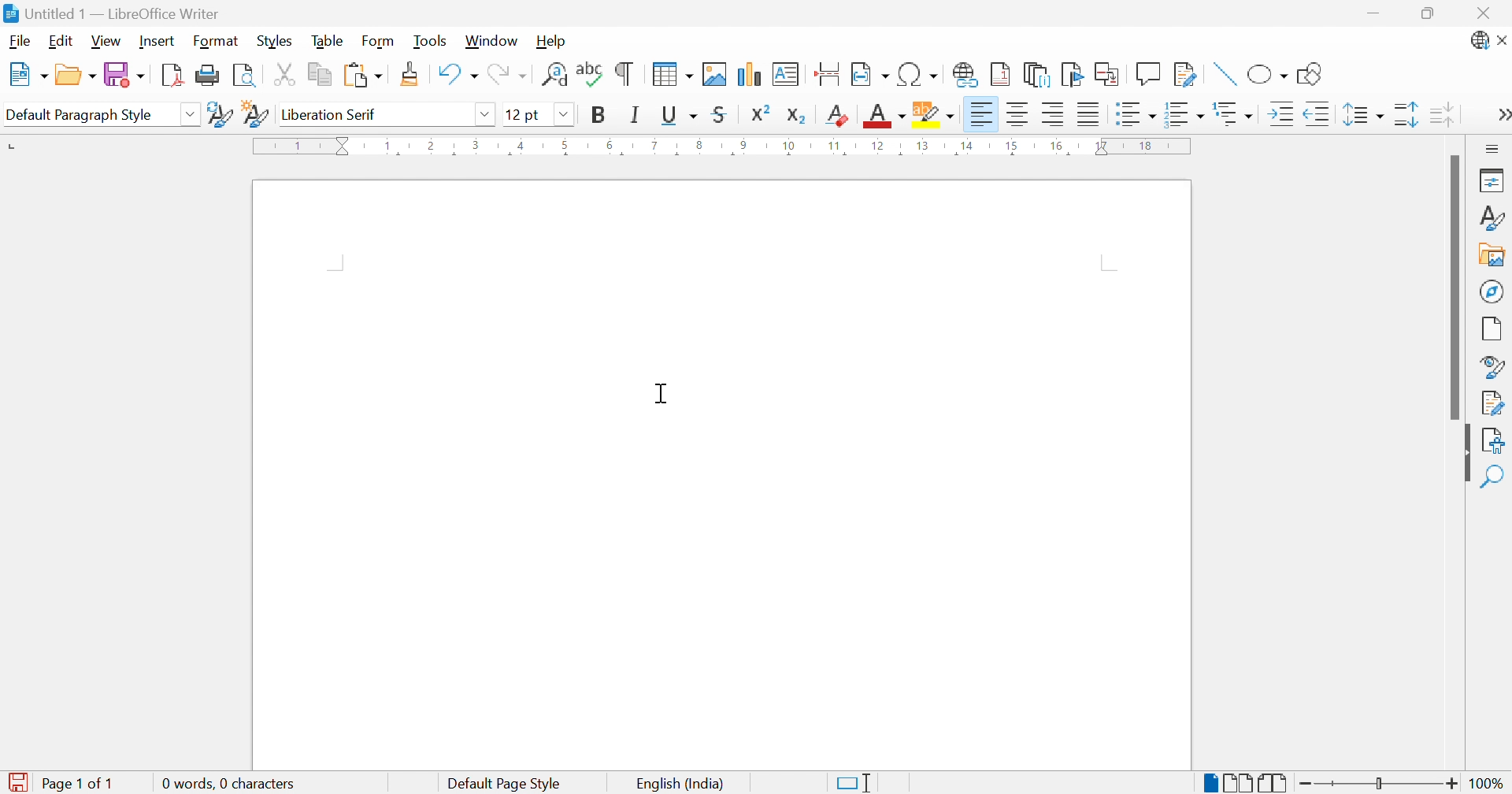  Describe the element at coordinates (75, 73) in the screenshot. I see `Open` at that location.